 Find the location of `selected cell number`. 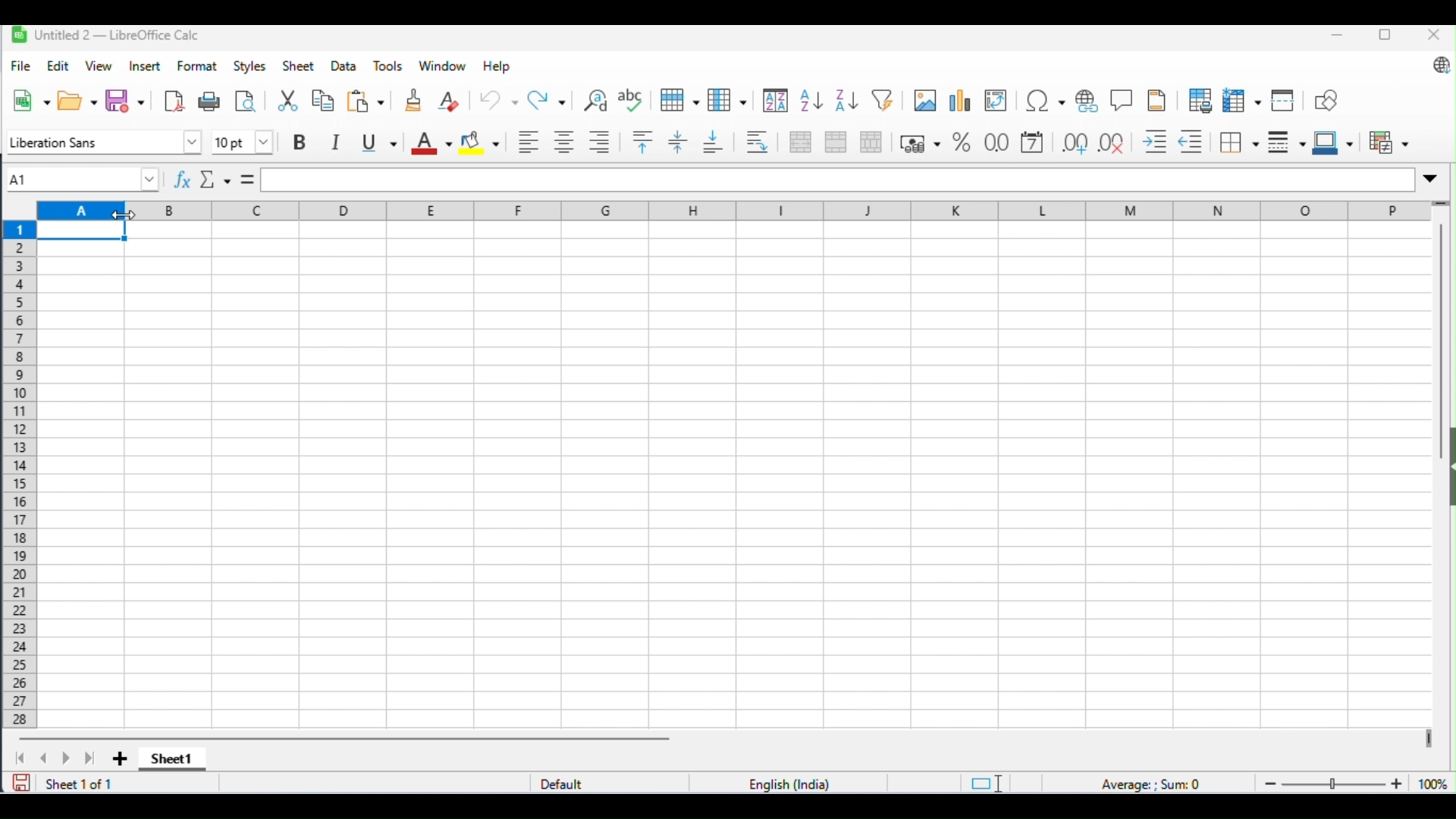

selected cell number is located at coordinates (79, 177).